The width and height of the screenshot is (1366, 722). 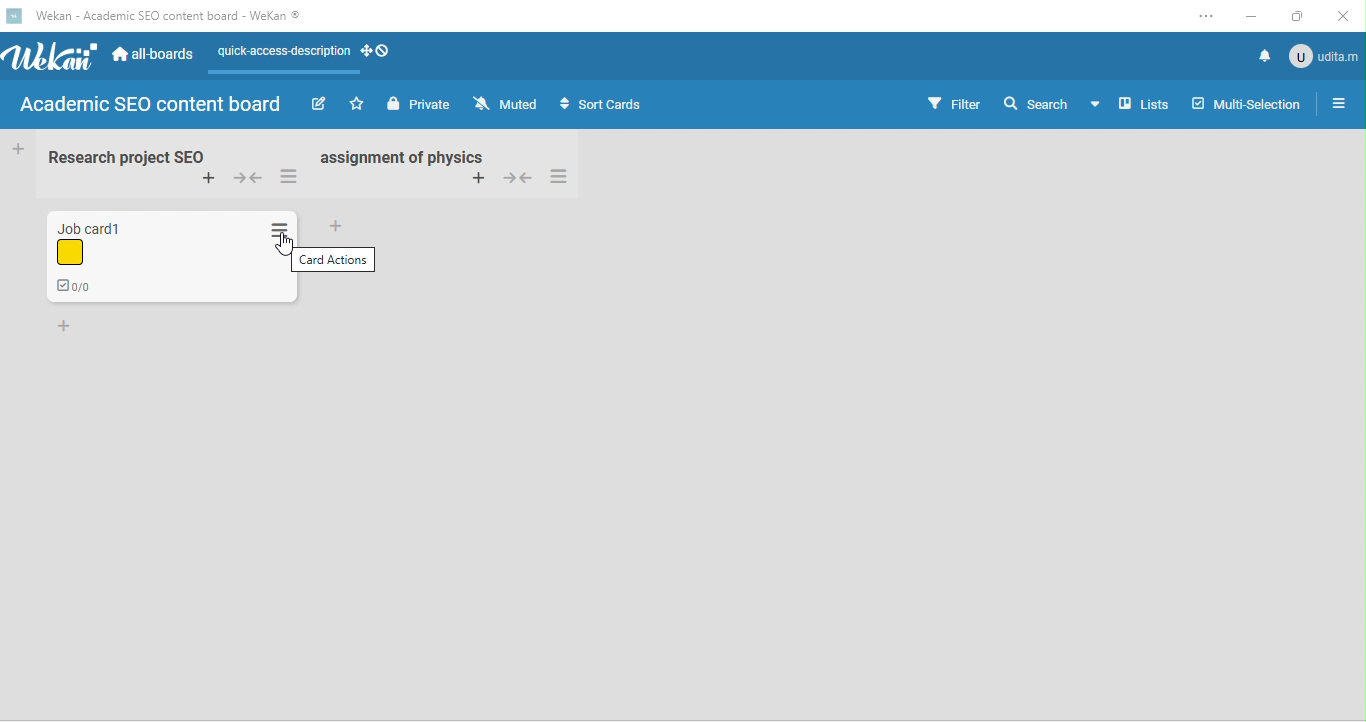 I want to click on all boards, so click(x=161, y=55).